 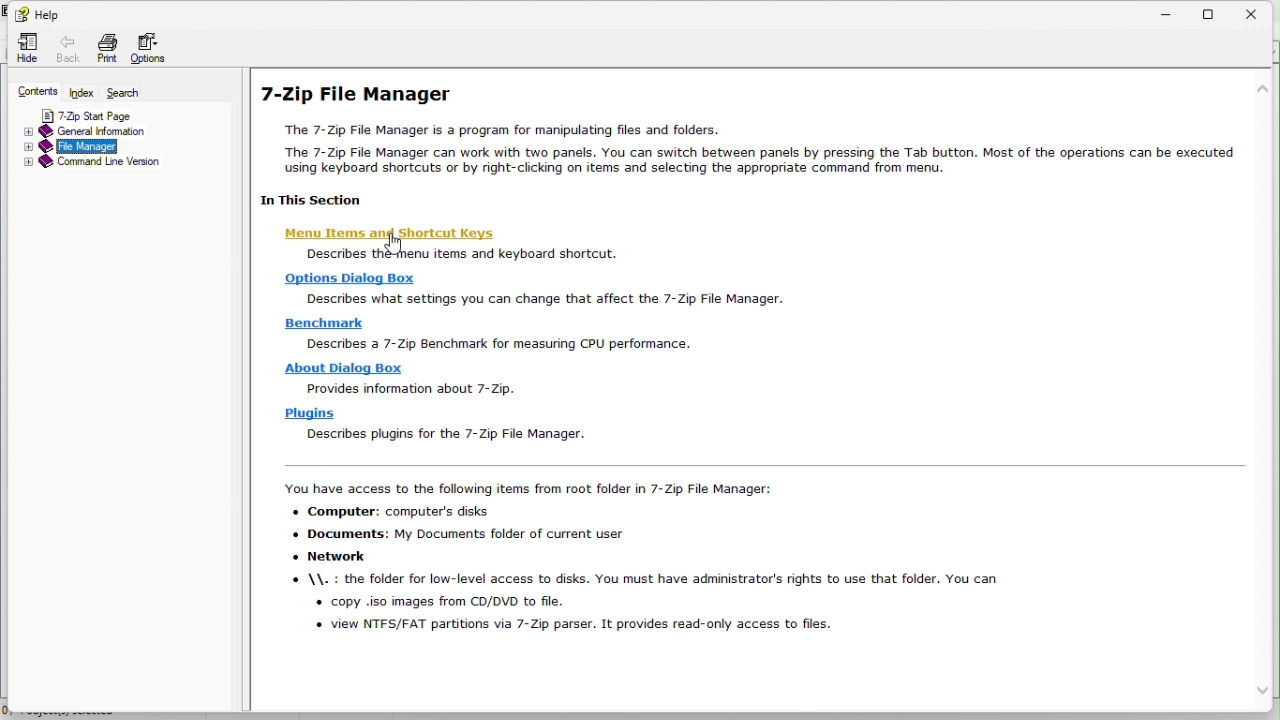 I want to click on hide, so click(x=22, y=47).